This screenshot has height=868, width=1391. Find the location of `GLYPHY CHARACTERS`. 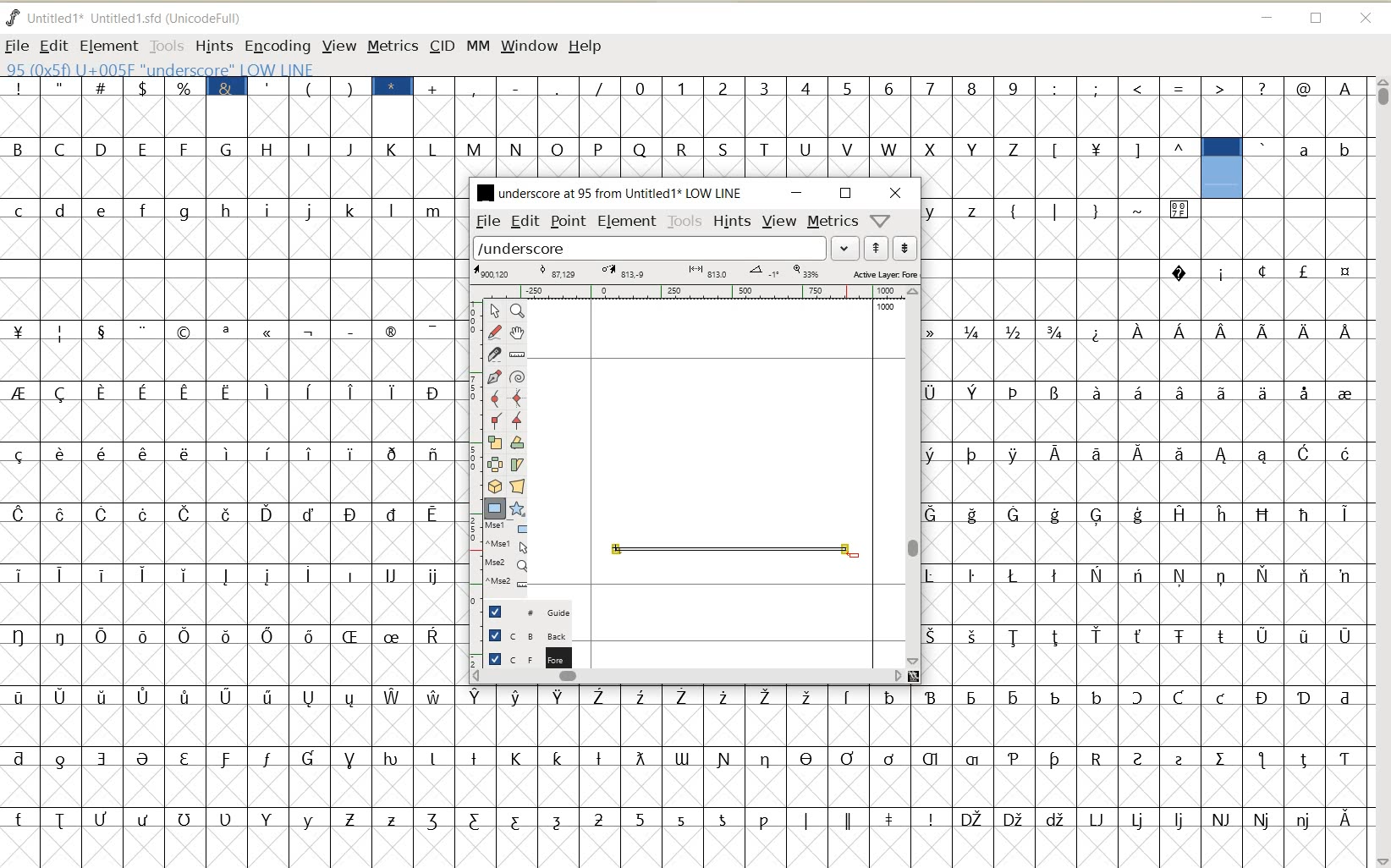

GLYPHY CHARACTERS is located at coordinates (689, 151).